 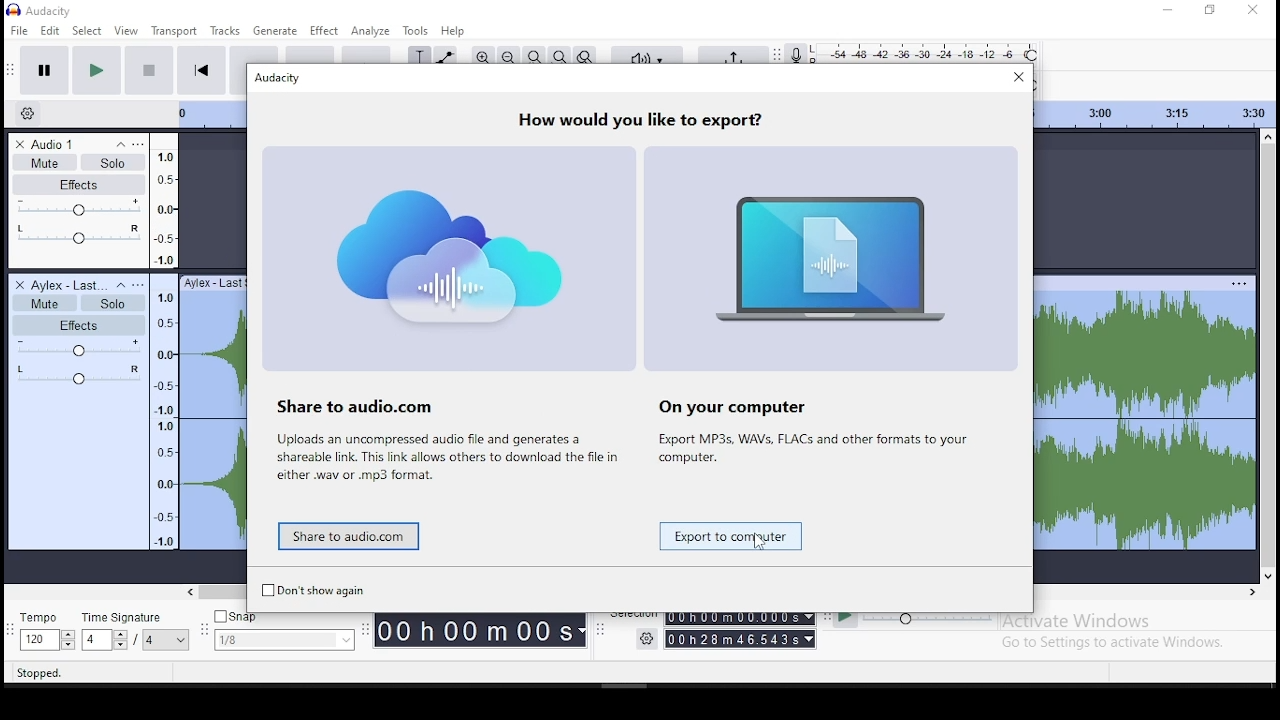 I want to click on restore, so click(x=1212, y=11).